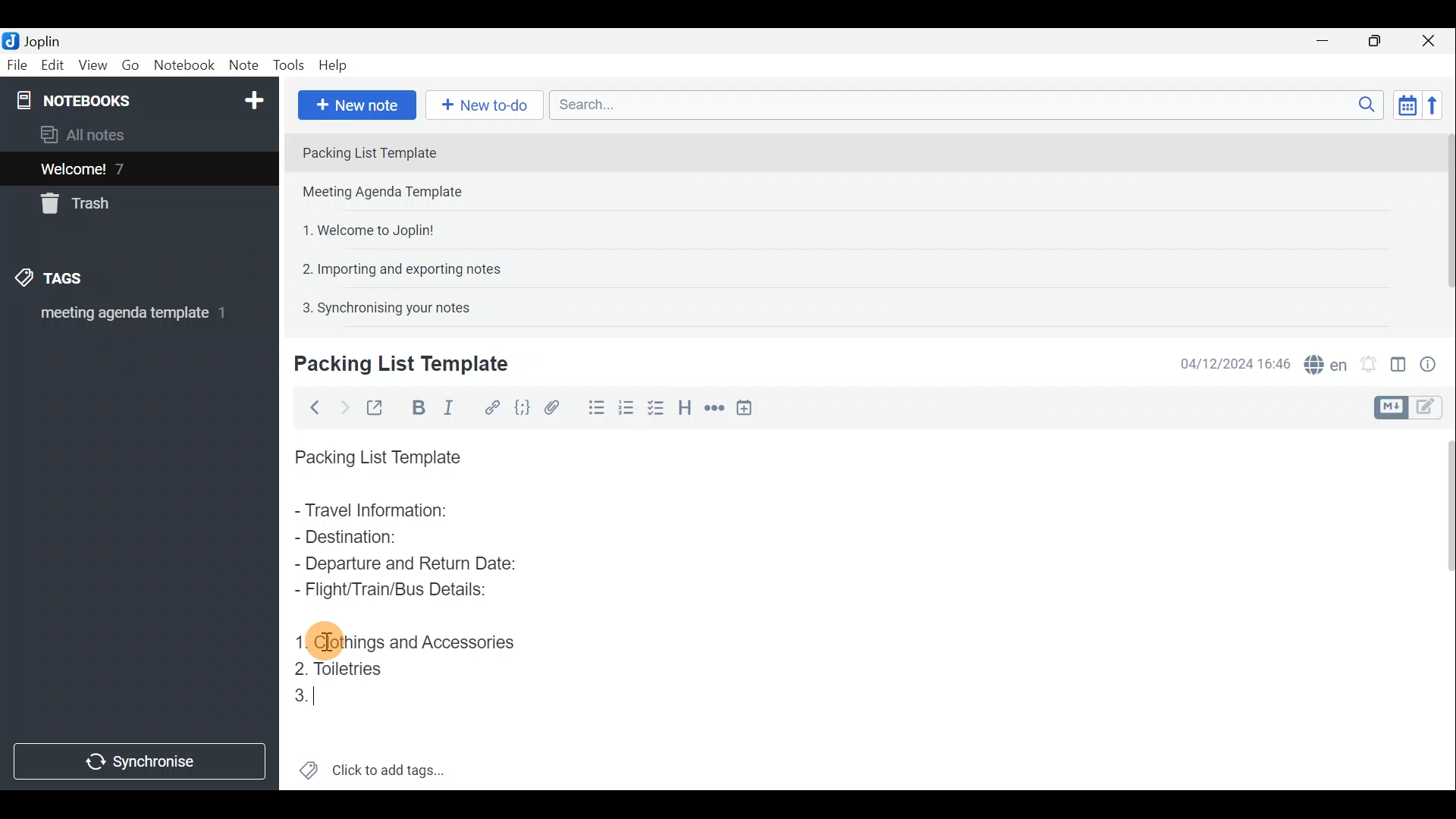 The height and width of the screenshot is (819, 1456). Describe the element at coordinates (454, 407) in the screenshot. I see `Italic` at that location.